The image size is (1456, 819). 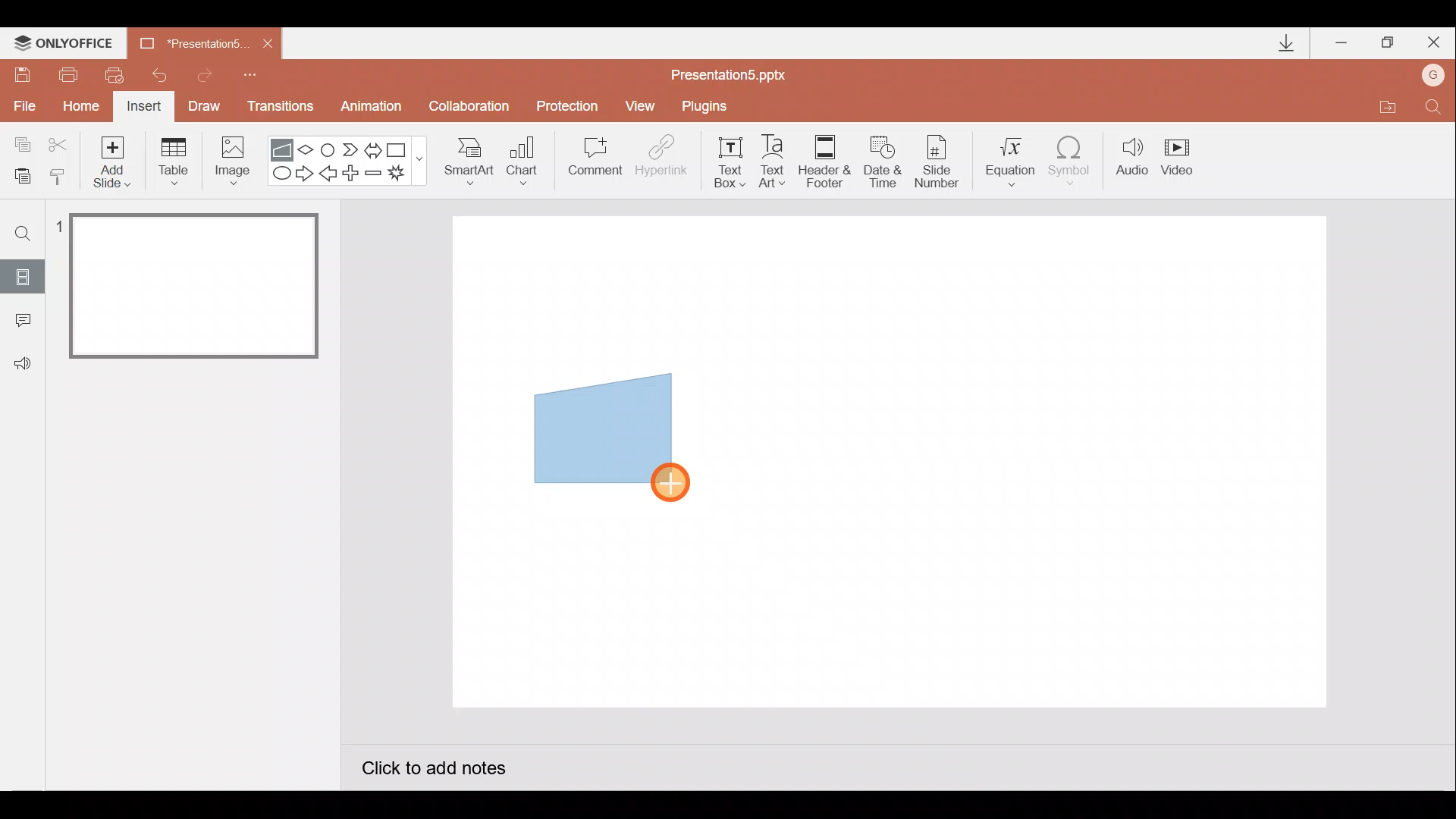 I want to click on SmartArt, so click(x=463, y=160).